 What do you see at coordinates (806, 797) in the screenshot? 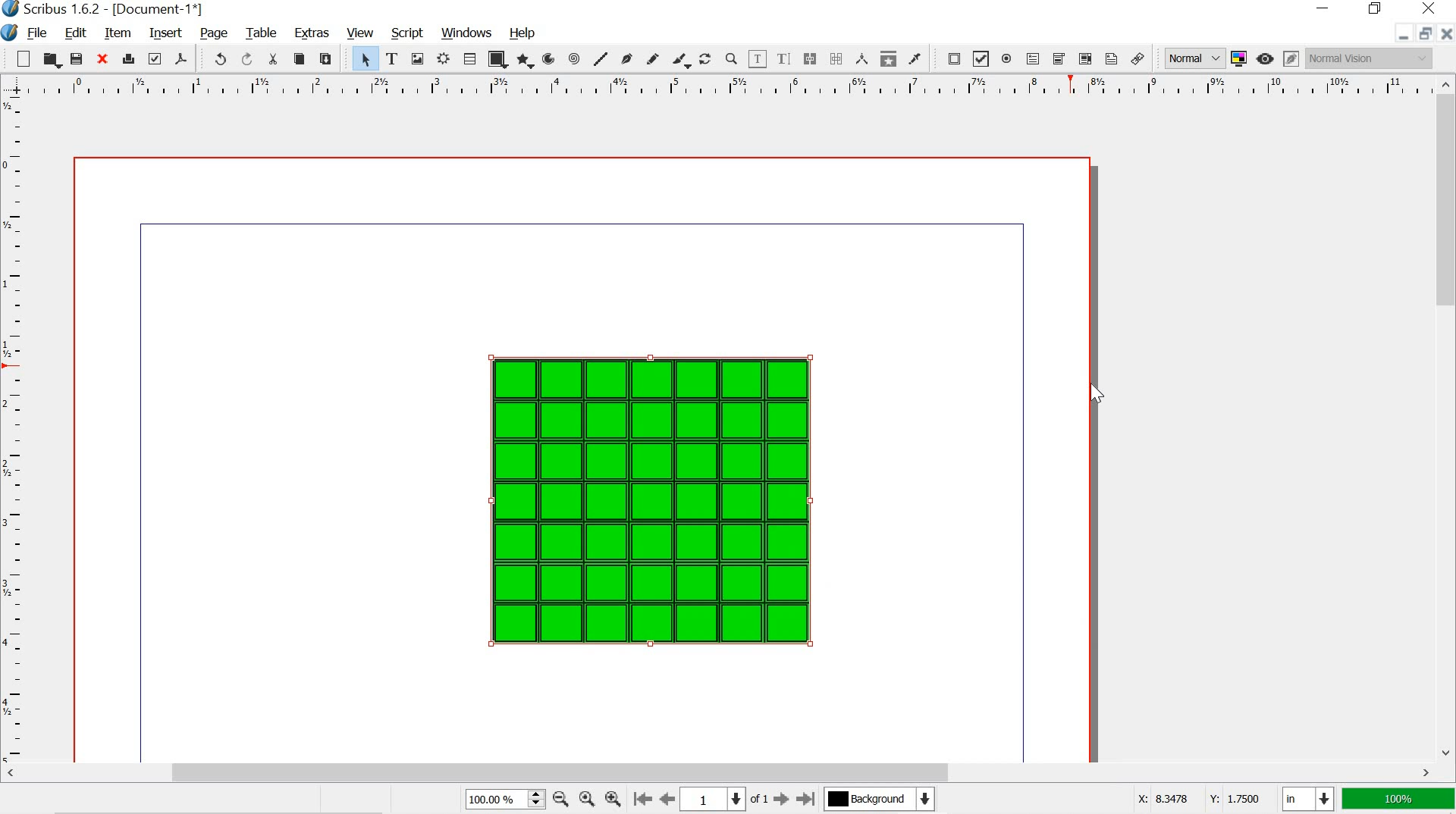
I see `go to the last page` at bounding box center [806, 797].